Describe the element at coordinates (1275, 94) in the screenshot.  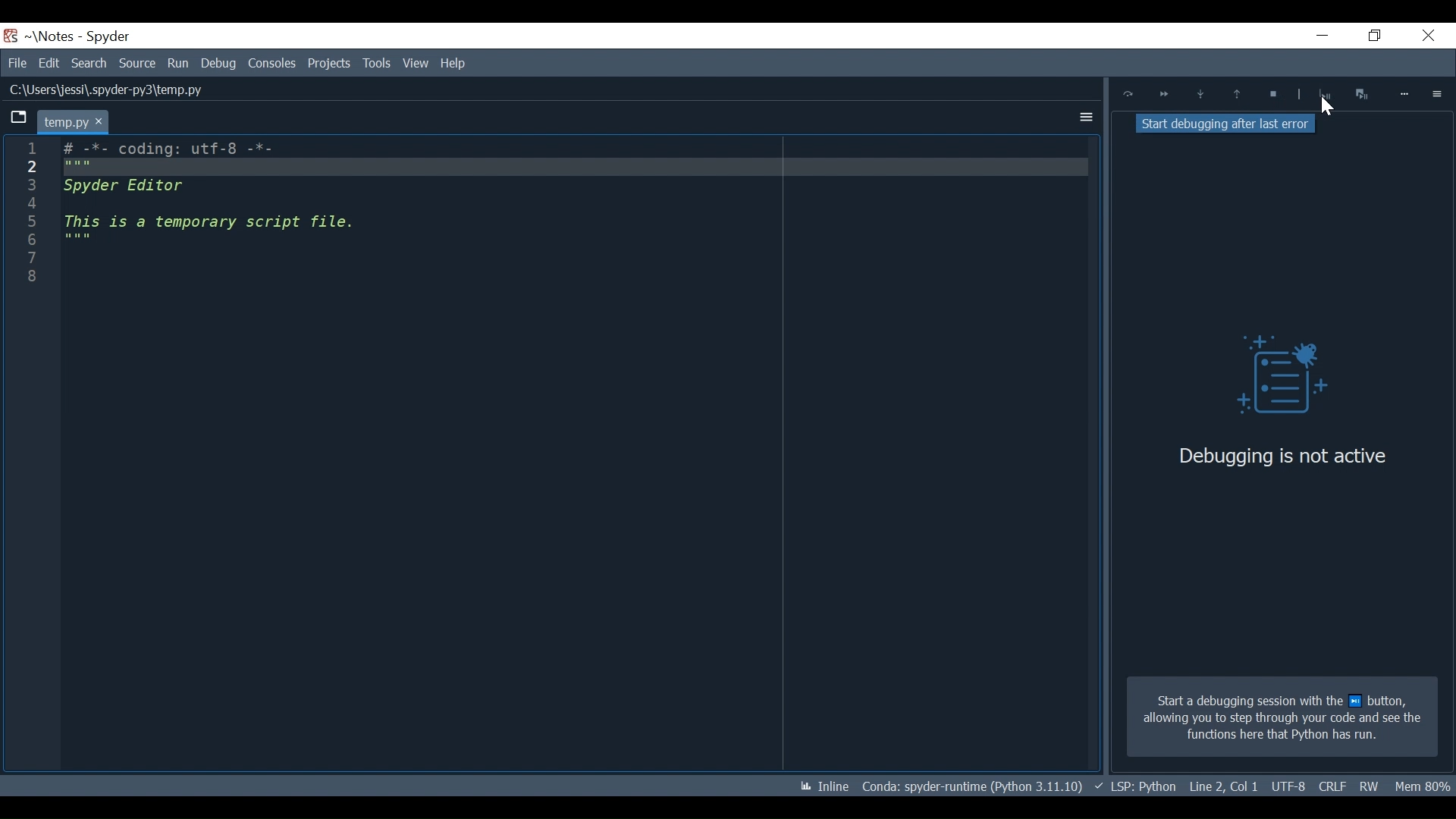
I see `Stop Debugging` at that location.